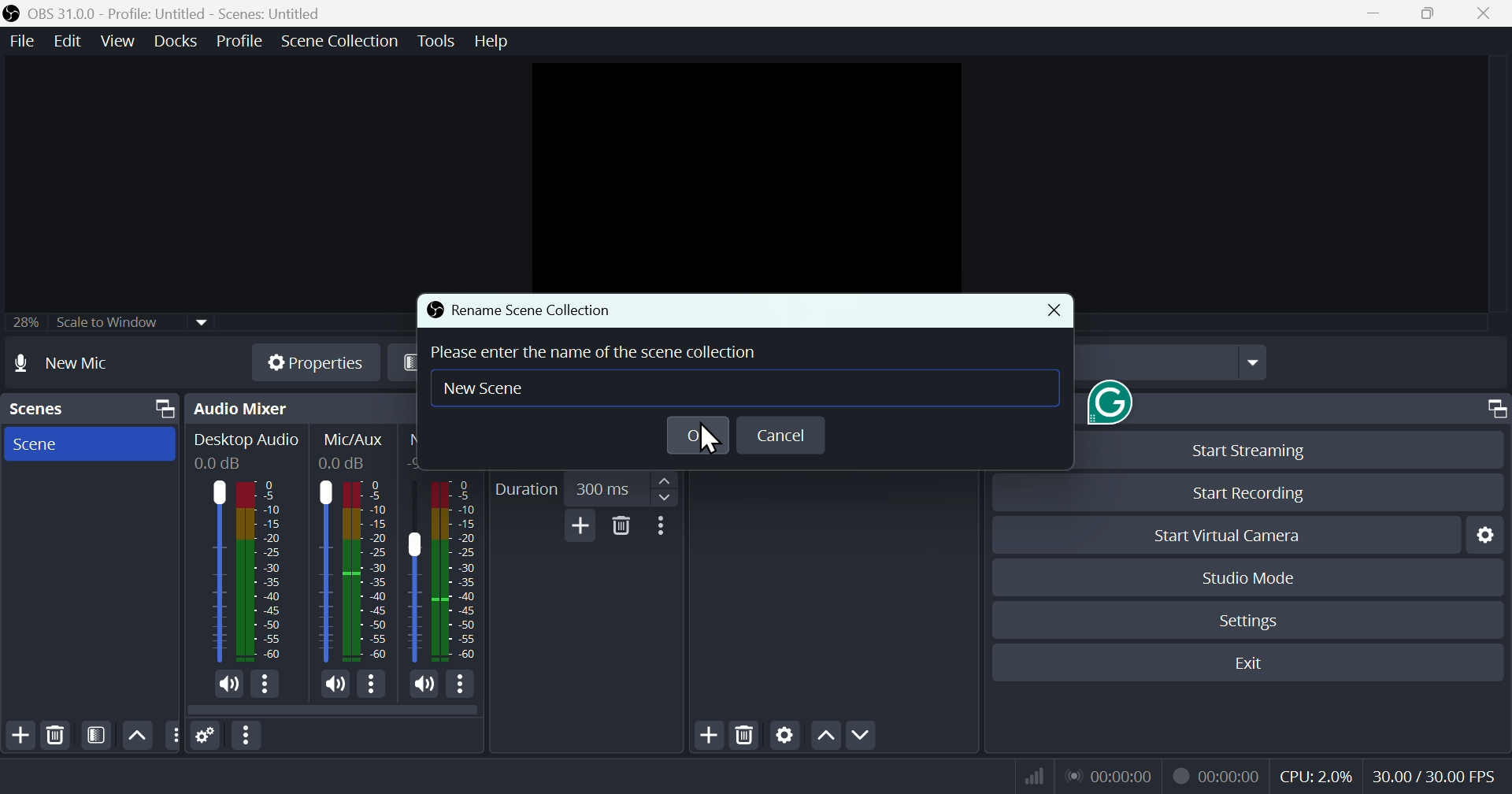 This screenshot has width=1512, height=794. I want to click on Rename scene collection, so click(534, 311).